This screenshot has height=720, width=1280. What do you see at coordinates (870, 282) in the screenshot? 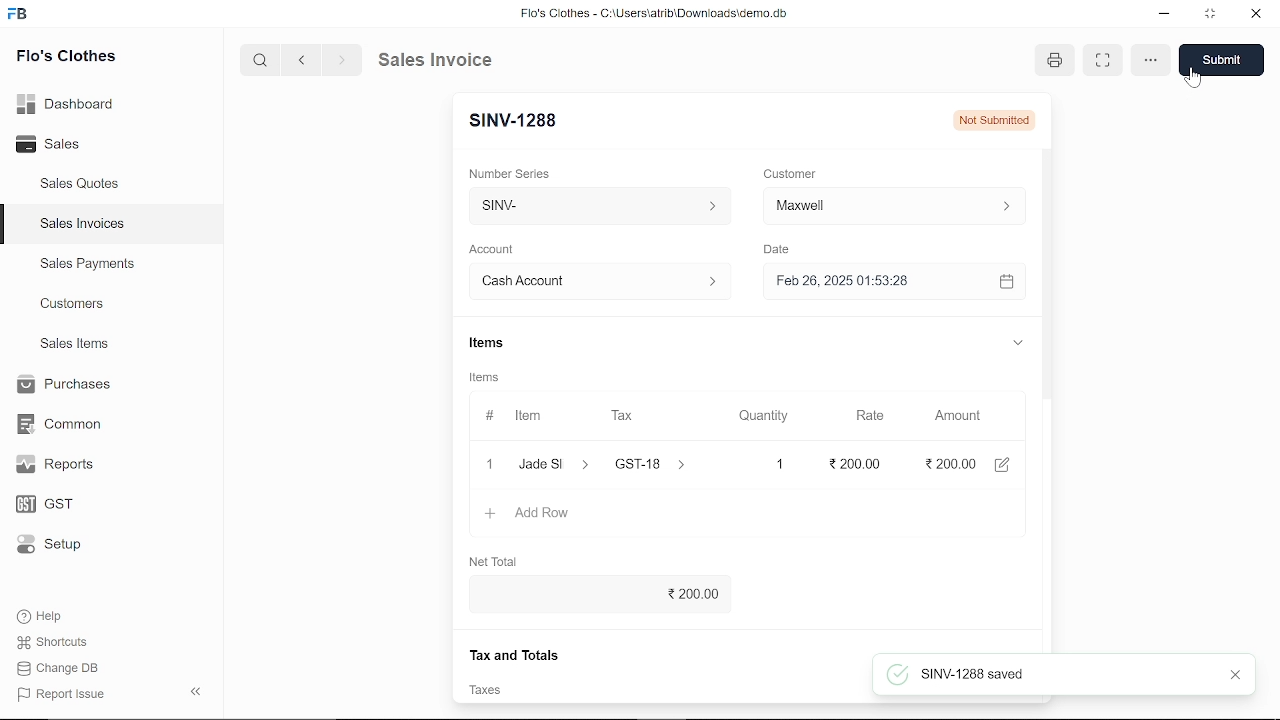
I see `Feb 26, 2025 01:53:28` at bounding box center [870, 282].